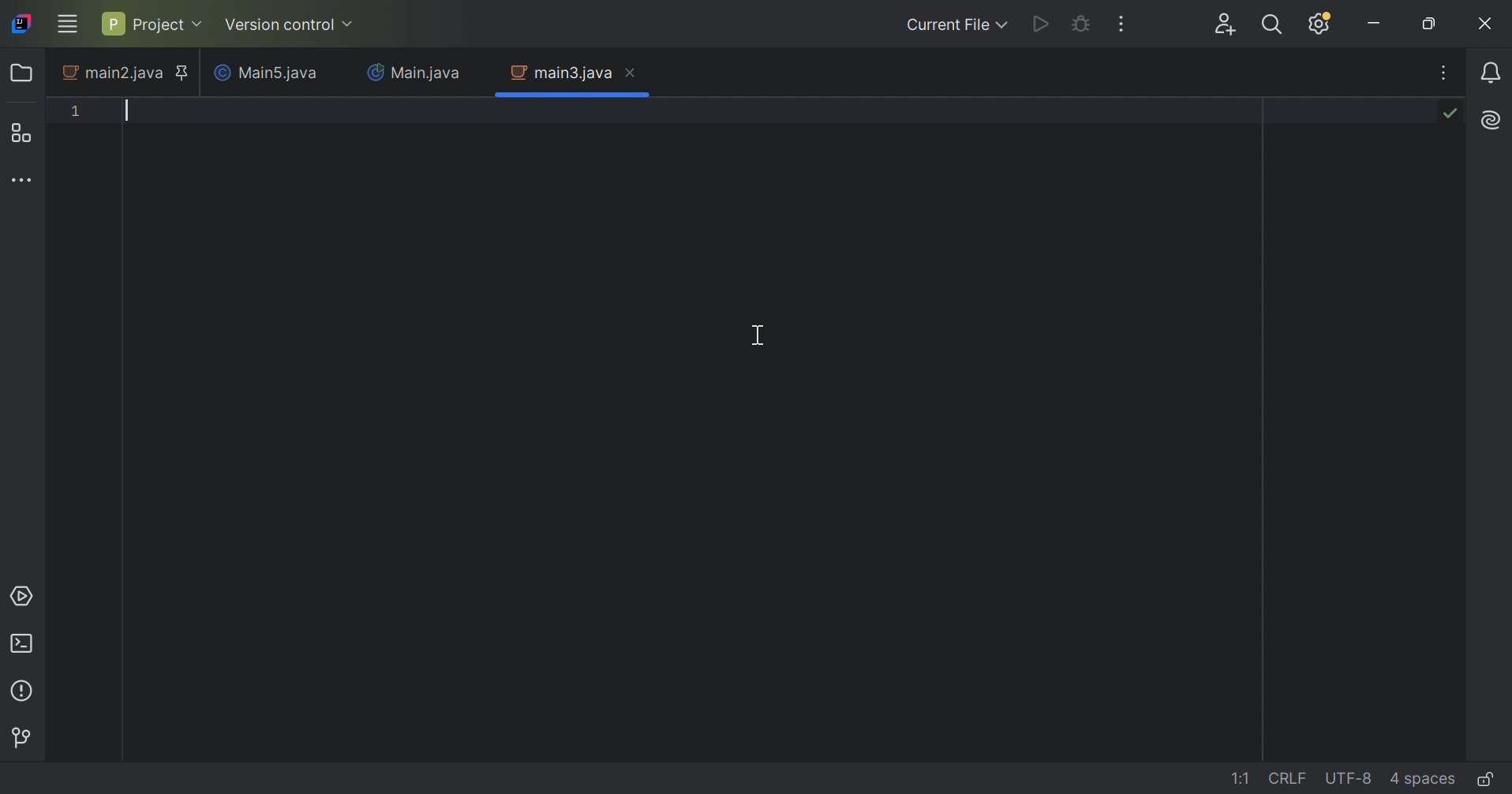 This screenshot has width=1512, height=794. I want to click on Terminal, so click(23, 643).